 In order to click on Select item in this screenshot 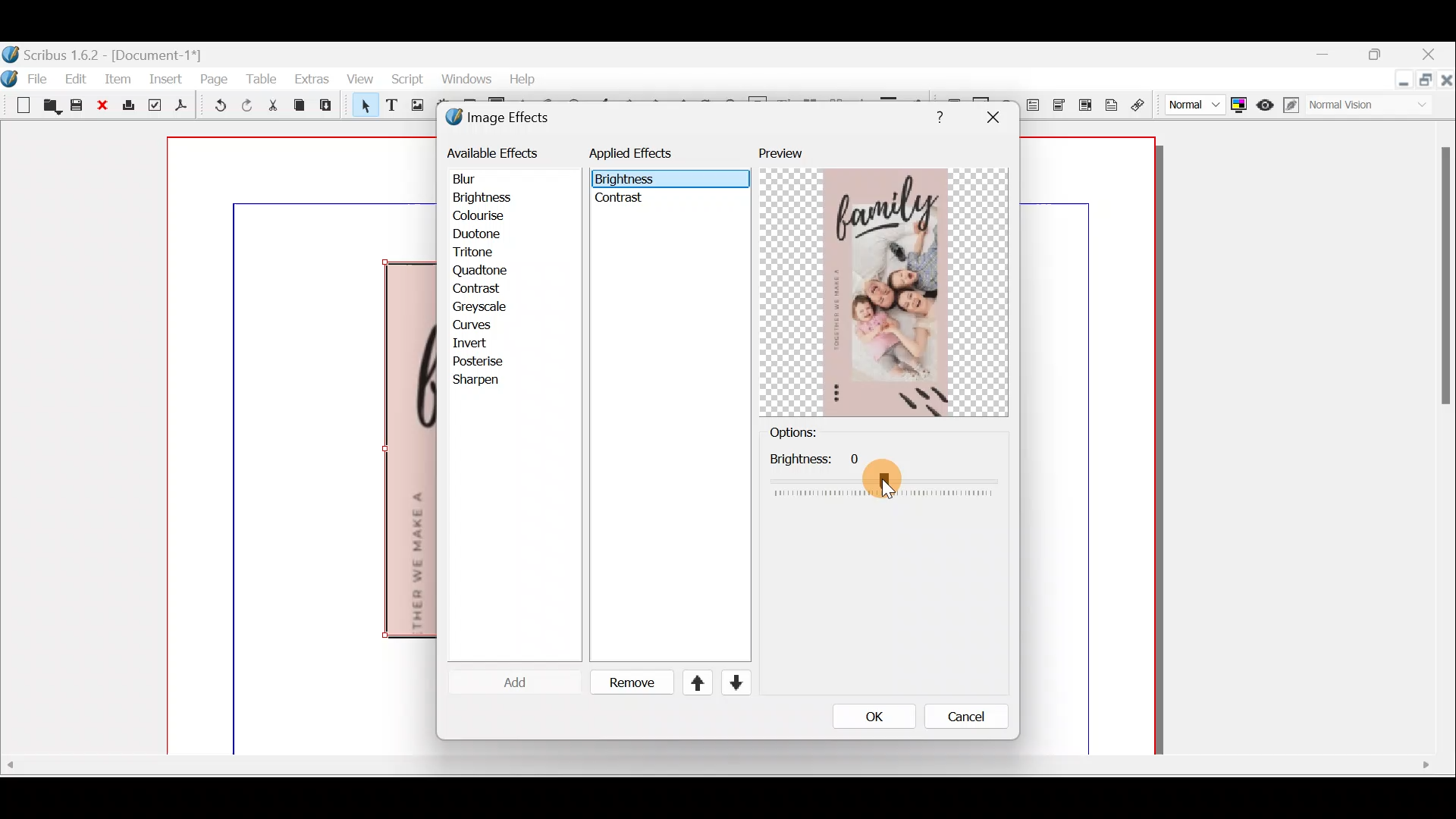, I will do `click(362, 108)`.